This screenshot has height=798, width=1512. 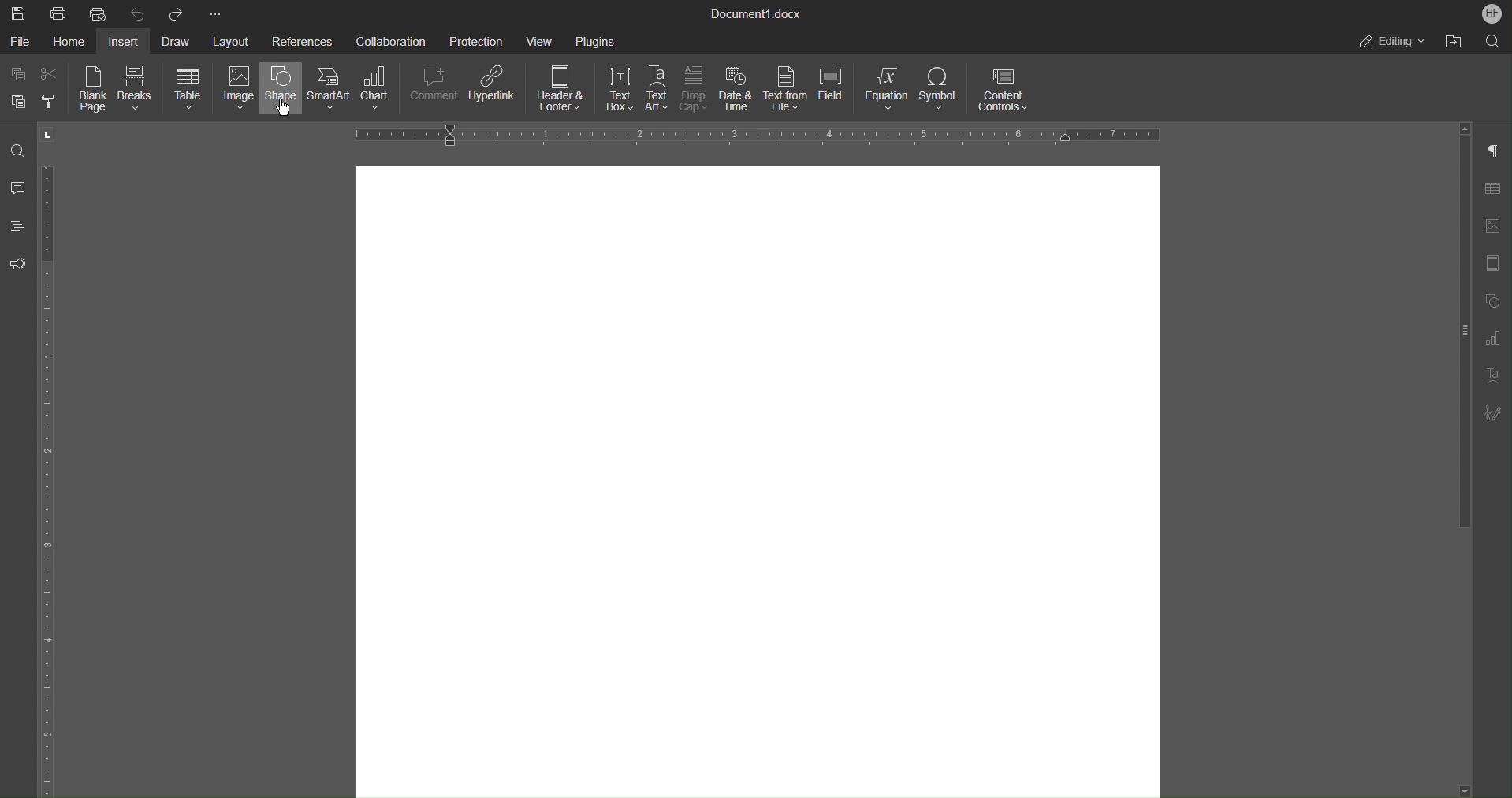 What do you see at coordinates (95, 91) in the screenshot?
I see `Blank Page` at bounding box center [95, 91].